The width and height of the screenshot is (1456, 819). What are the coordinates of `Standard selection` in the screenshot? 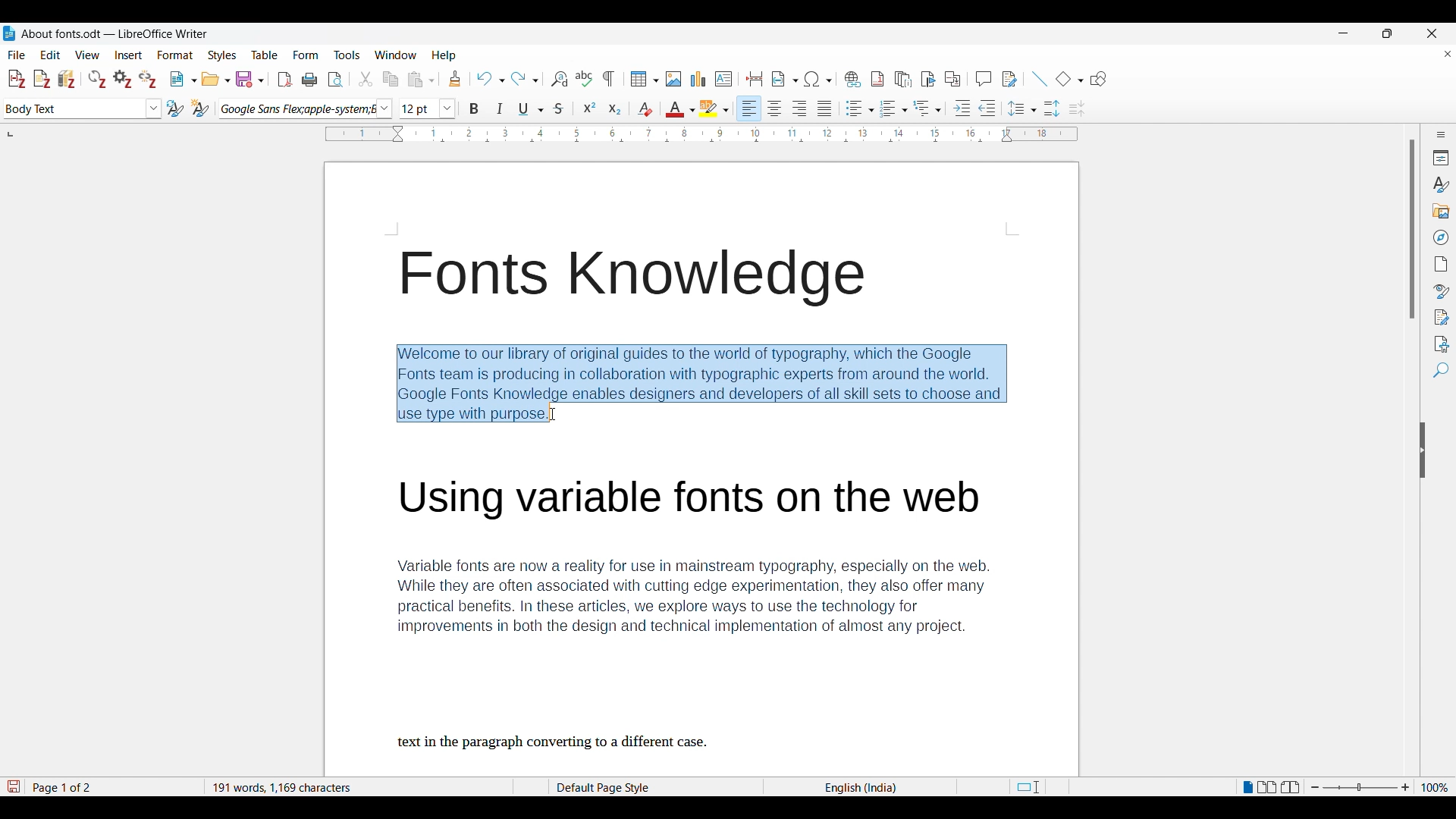 It's located at (1027, 787).